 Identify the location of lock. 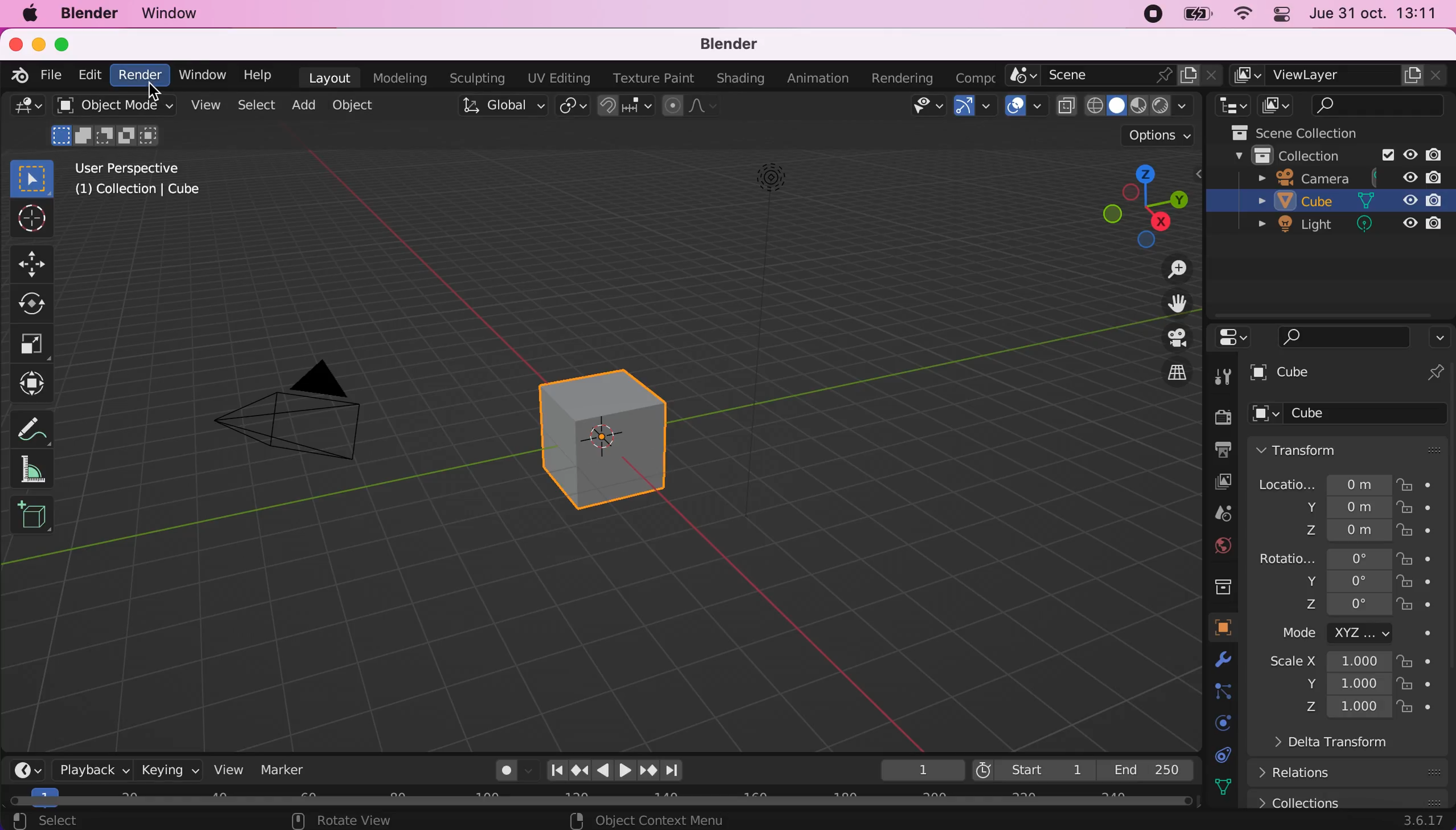
(1417, 663).